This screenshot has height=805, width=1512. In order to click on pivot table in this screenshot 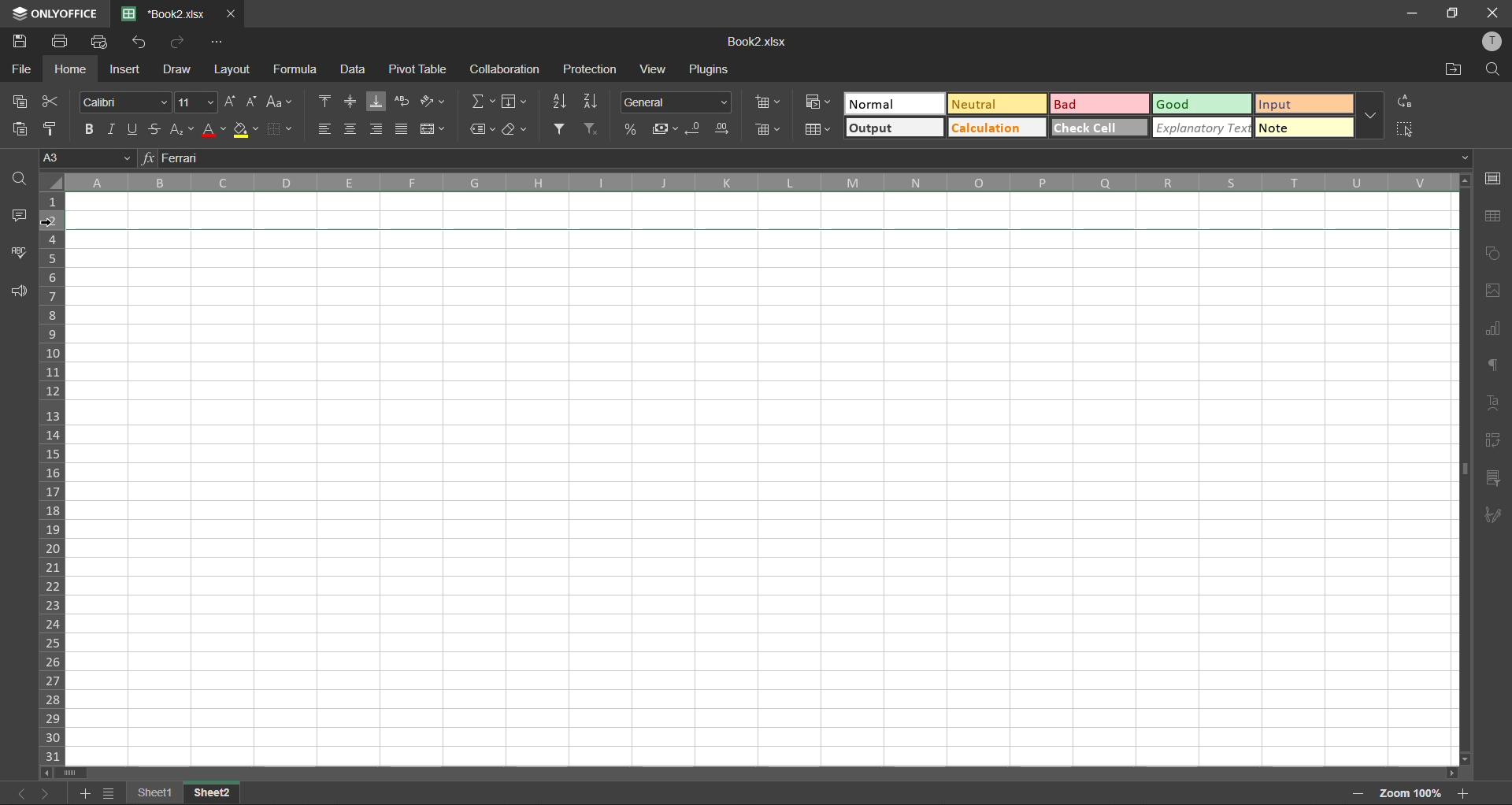, I will do `click(1492, 440)`.